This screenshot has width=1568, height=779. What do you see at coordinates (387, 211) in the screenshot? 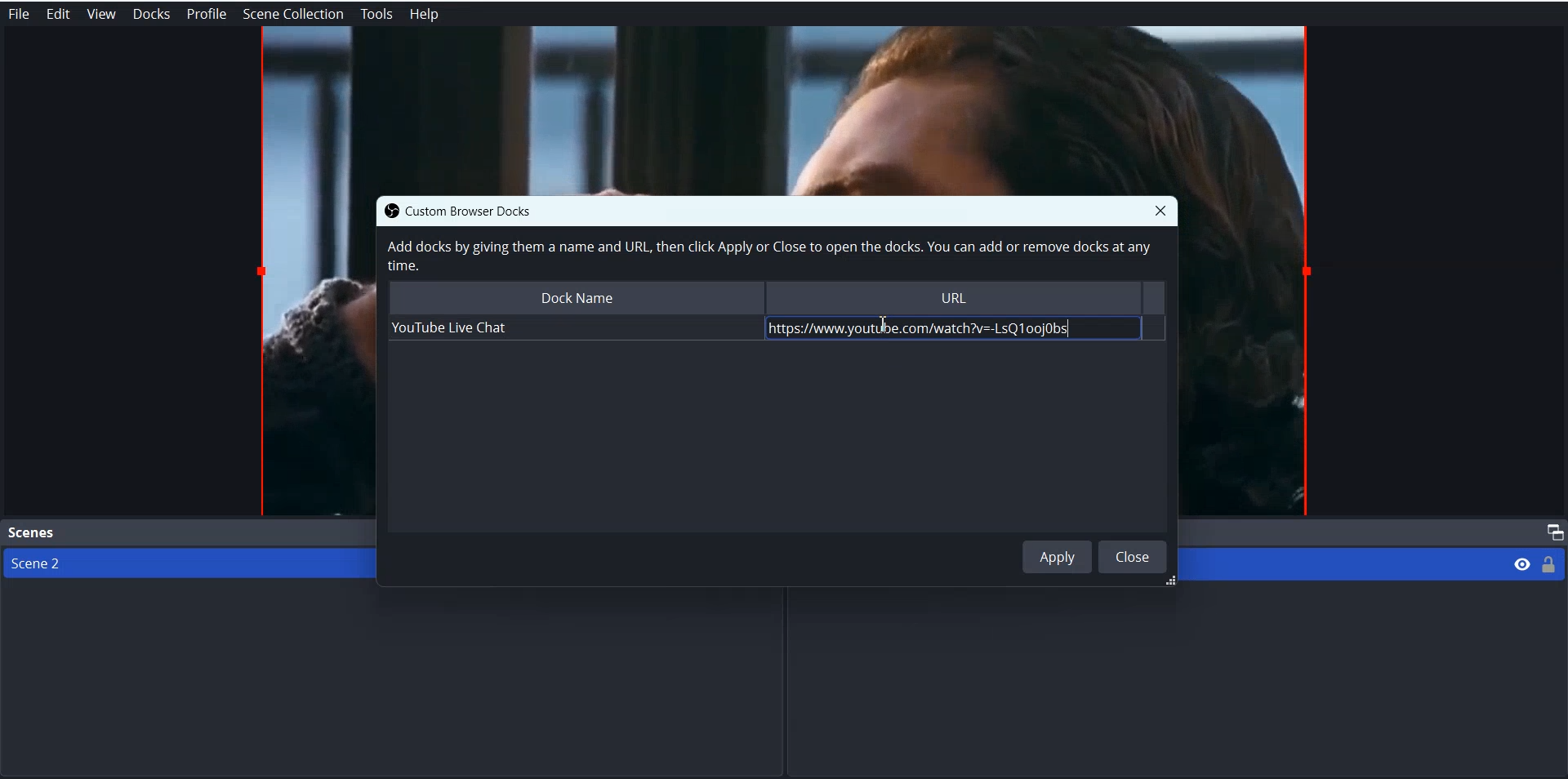
I see `OBS logo` at bounding box center [387, 211].